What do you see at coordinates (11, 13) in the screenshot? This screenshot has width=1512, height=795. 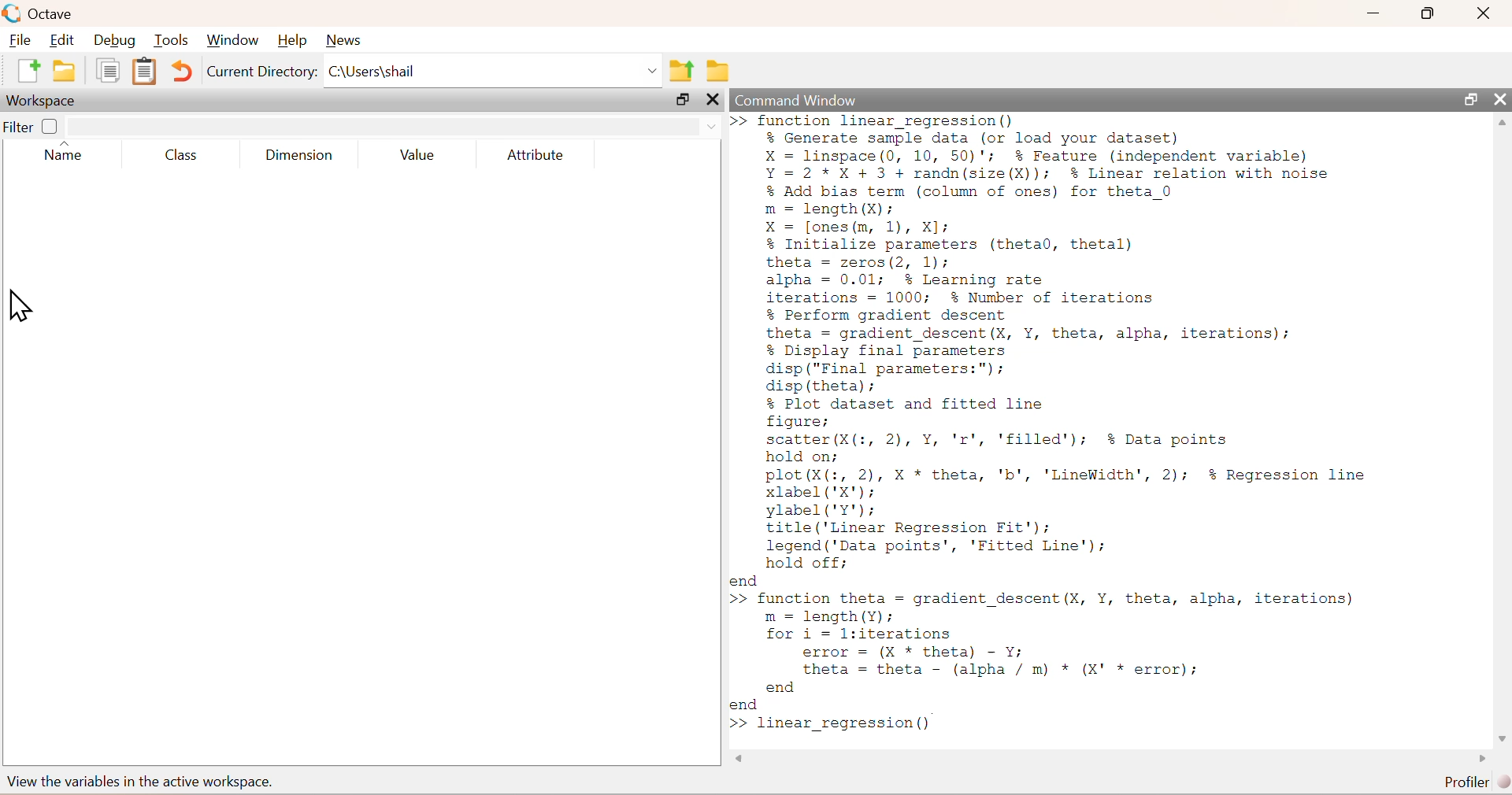 I see `logo` at bounding box center [11, 13].